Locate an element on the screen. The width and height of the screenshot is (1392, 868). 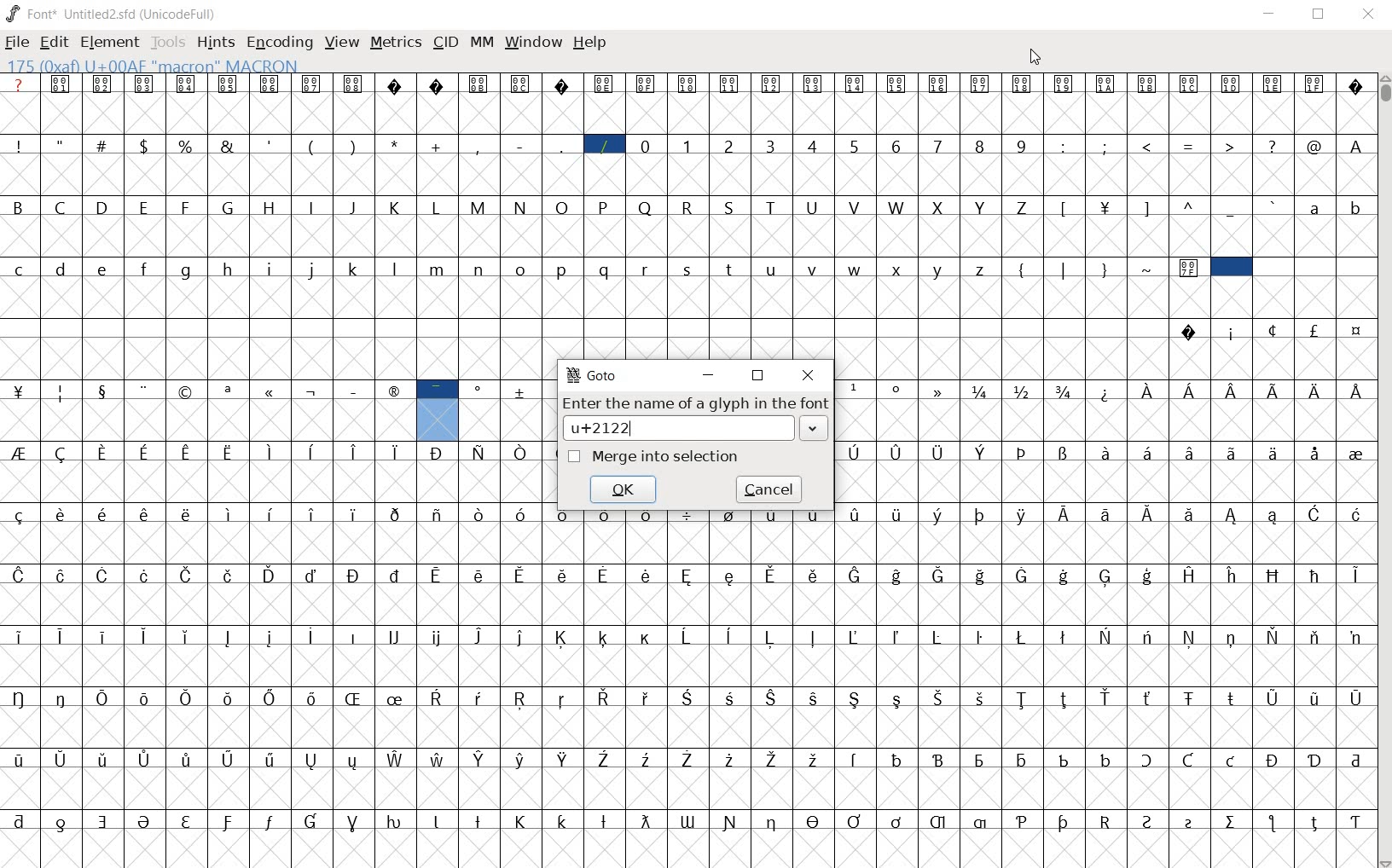
CID is located at coordinates (445, 45).